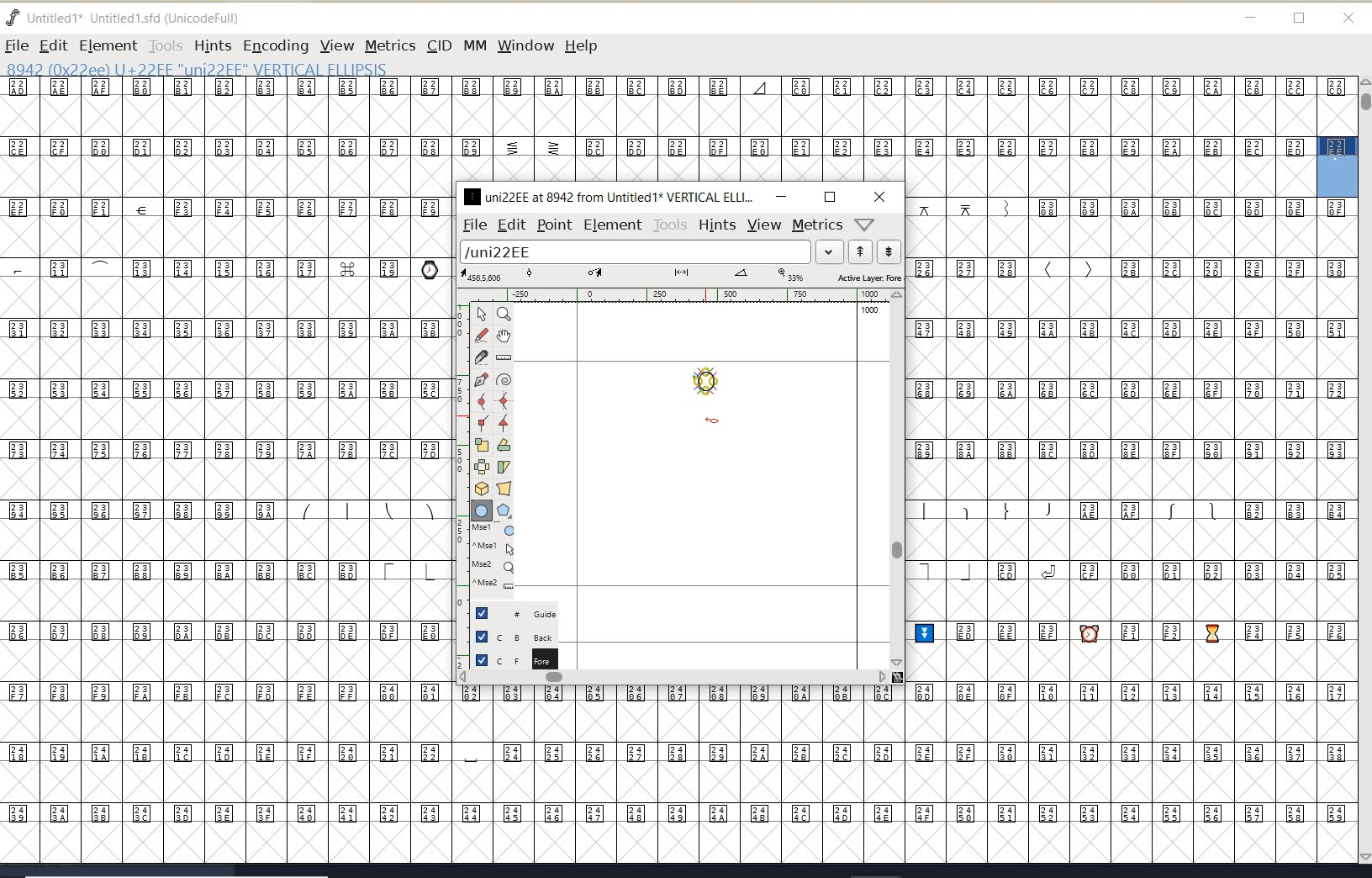 The height and width of the screenshot is (878, 1372). What do you see at coordinates (16, 45) in the screenshot?
I see `FILE` at bounding box center [16, 45].